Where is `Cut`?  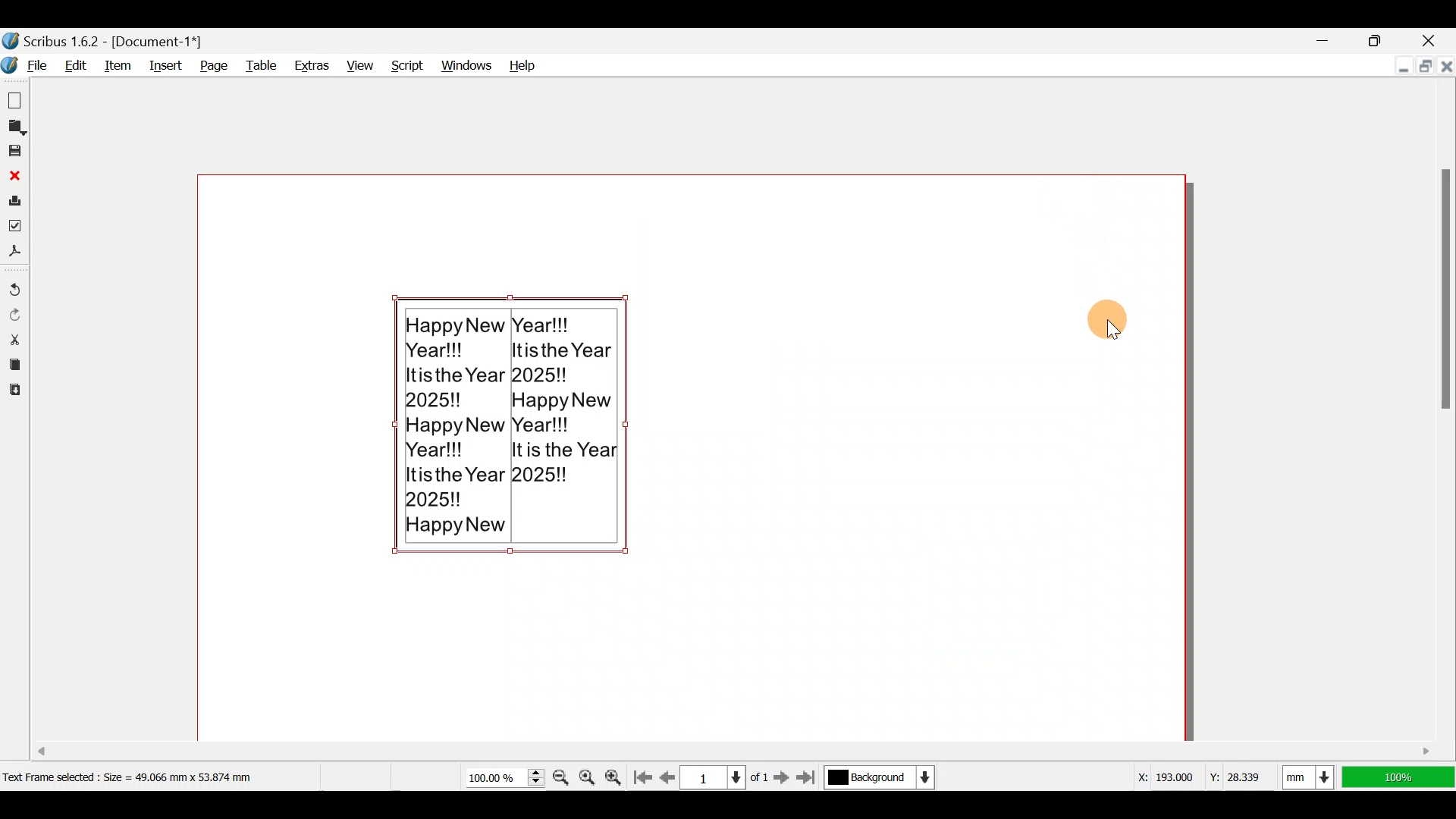 Cut is located at coordinates (14, 338).